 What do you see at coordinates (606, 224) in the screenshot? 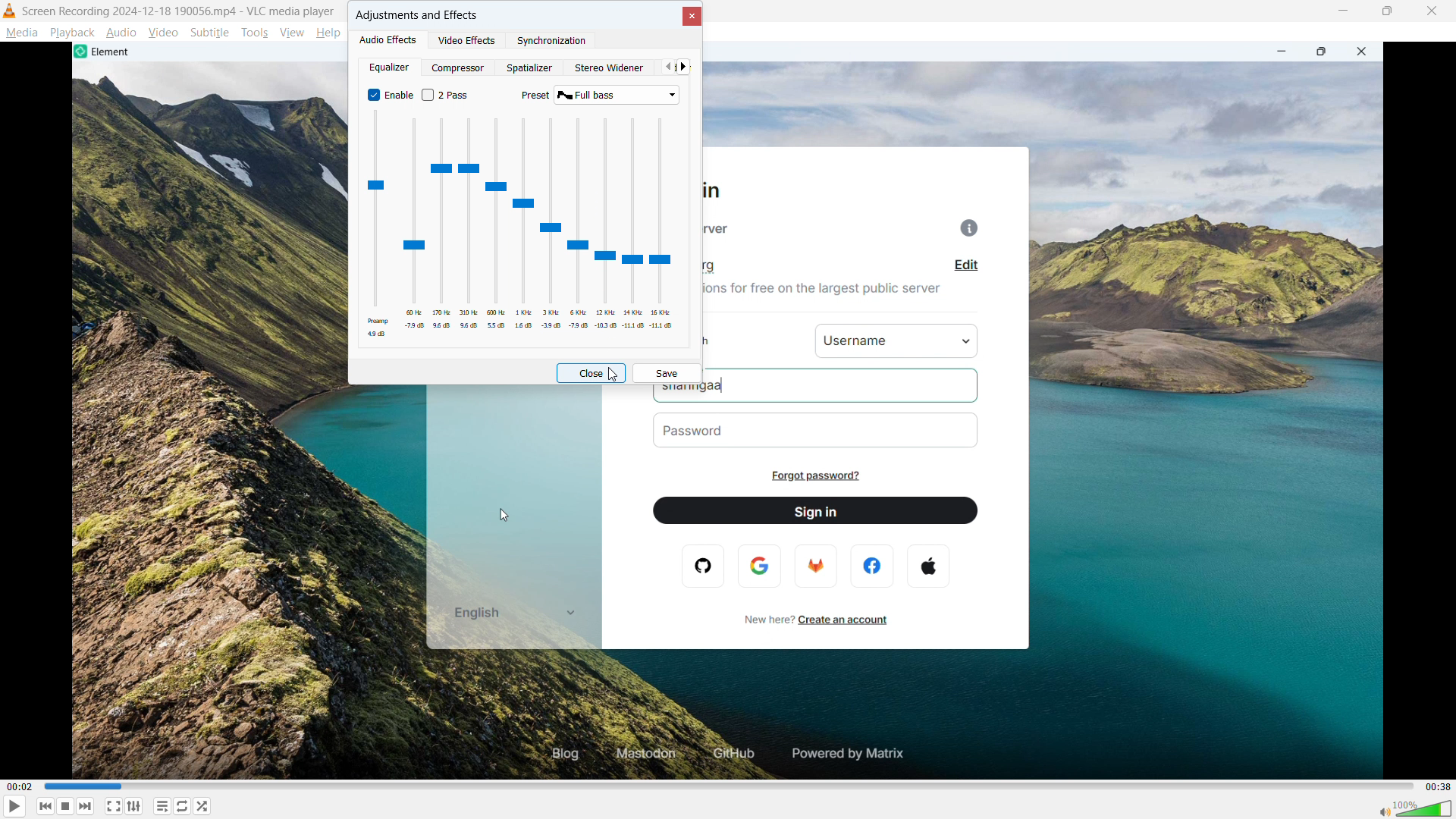
I see `Adjust 12 kilohertz ` at bounding box center [606, 224].